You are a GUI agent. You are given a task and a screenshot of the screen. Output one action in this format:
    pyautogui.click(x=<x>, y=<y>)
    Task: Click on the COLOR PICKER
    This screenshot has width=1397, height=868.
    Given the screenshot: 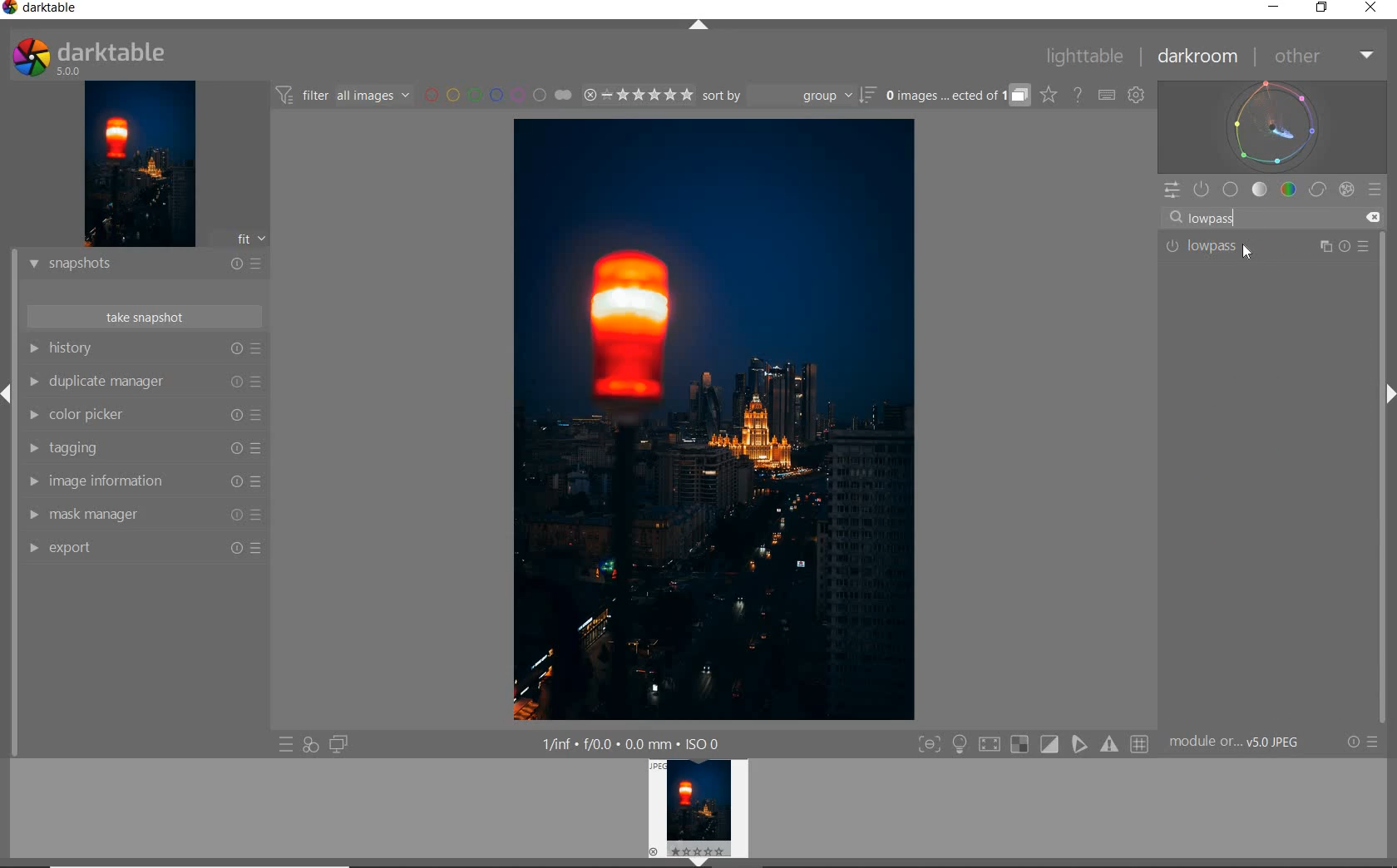 What is the action you would take?
    pyautogui.click(x=114, y=416)
    